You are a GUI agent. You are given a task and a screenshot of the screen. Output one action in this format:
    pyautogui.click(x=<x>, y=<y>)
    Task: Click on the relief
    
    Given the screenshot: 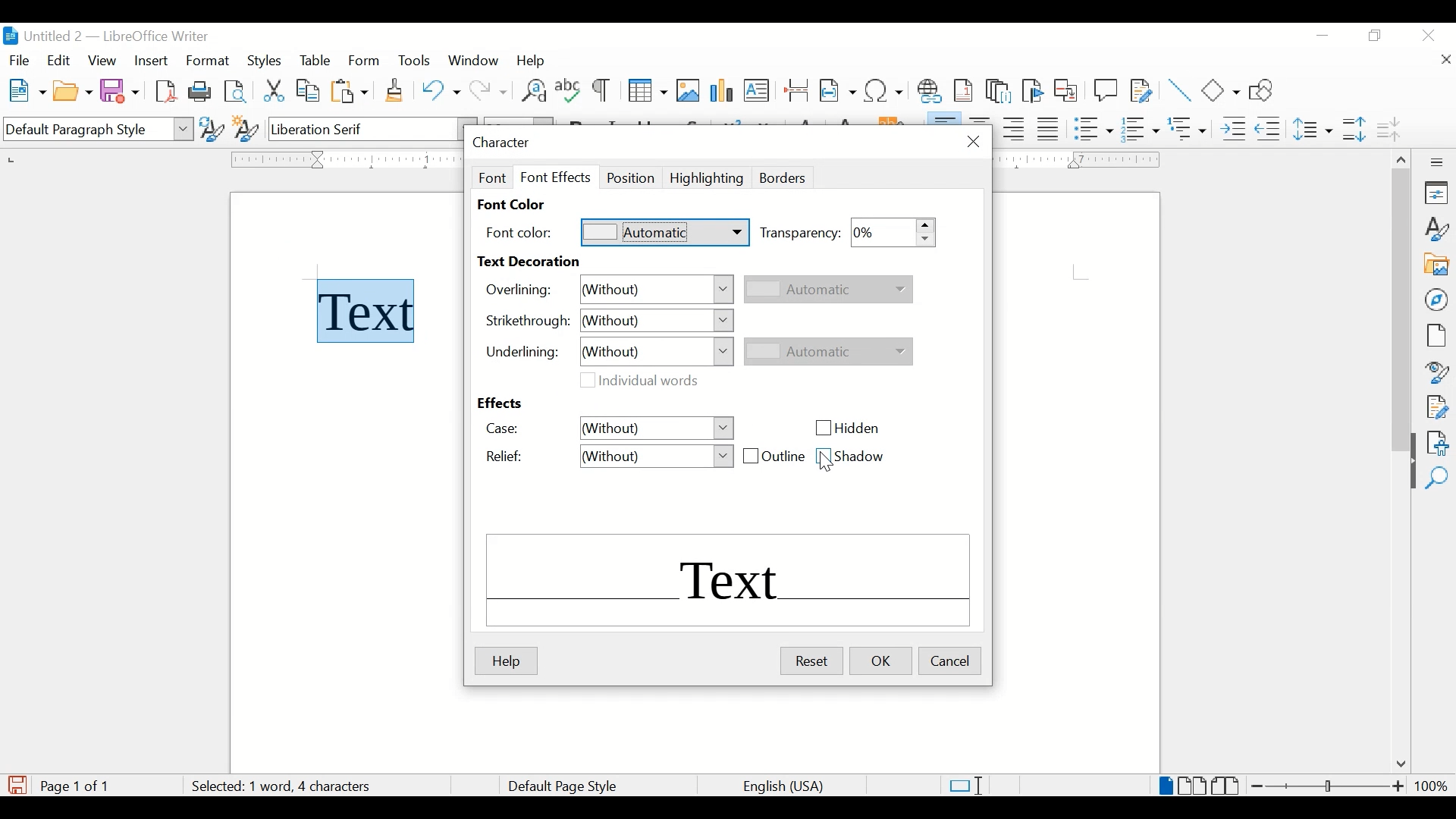 What is the action you would take?
    pyautogui.click(x=504, y=457)
    